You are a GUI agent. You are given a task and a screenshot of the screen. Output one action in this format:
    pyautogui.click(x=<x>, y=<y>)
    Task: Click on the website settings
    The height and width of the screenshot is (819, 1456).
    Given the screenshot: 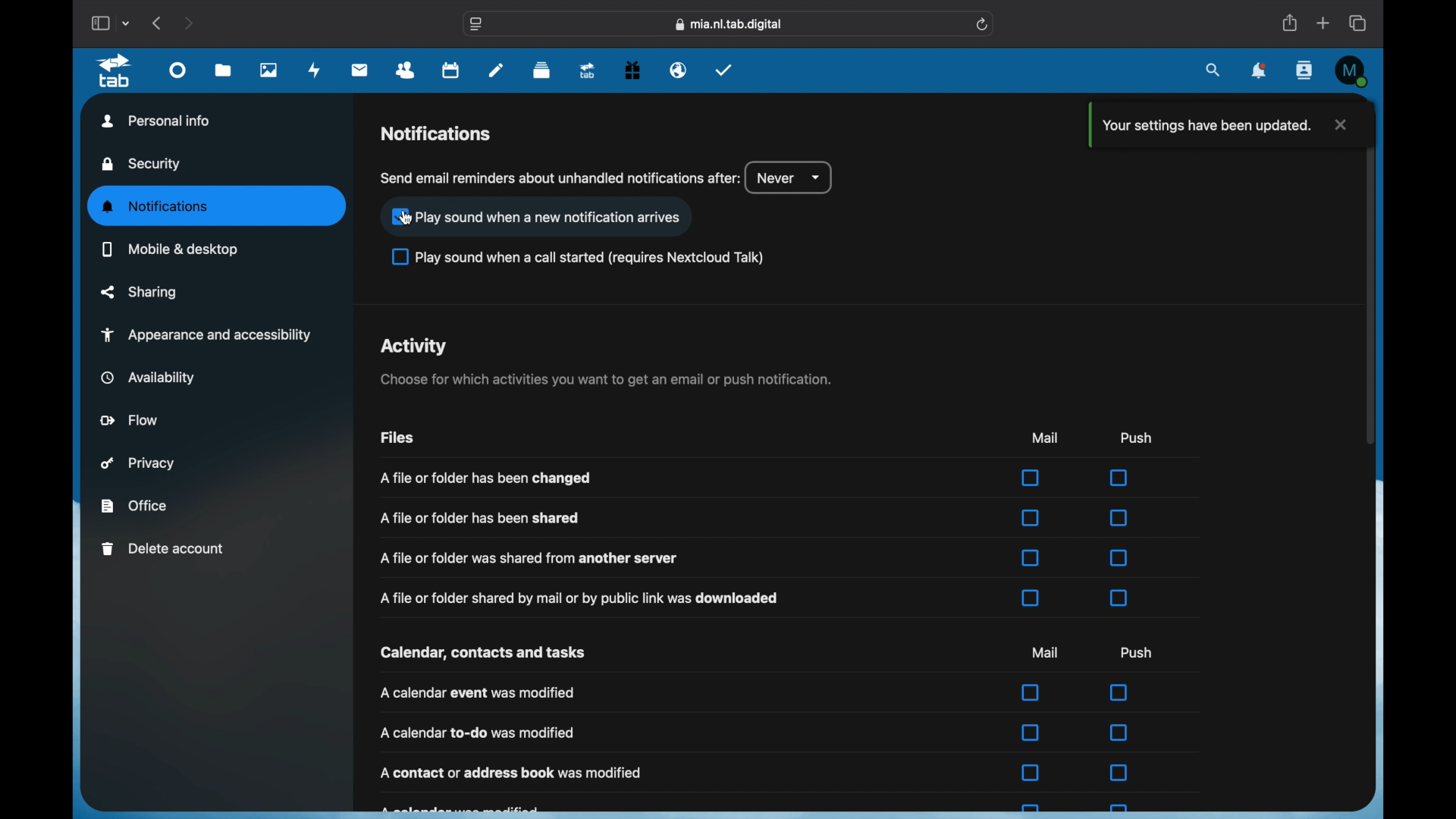 What is the action you would take?
    pyautogui.click(x=476, y=25)
    